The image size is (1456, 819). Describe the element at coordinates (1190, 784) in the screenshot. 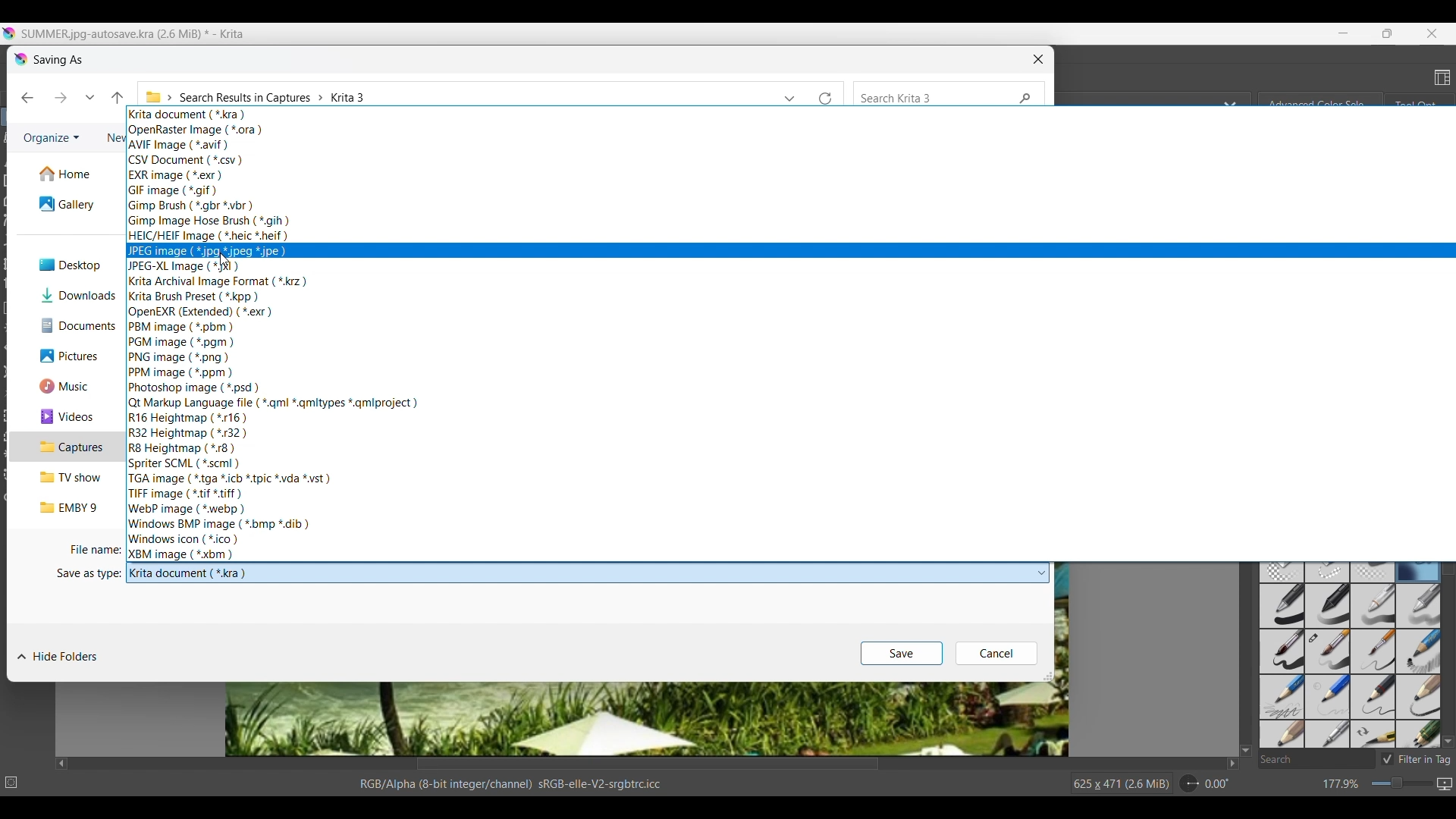

I see `Dial to change rotation` at that location.